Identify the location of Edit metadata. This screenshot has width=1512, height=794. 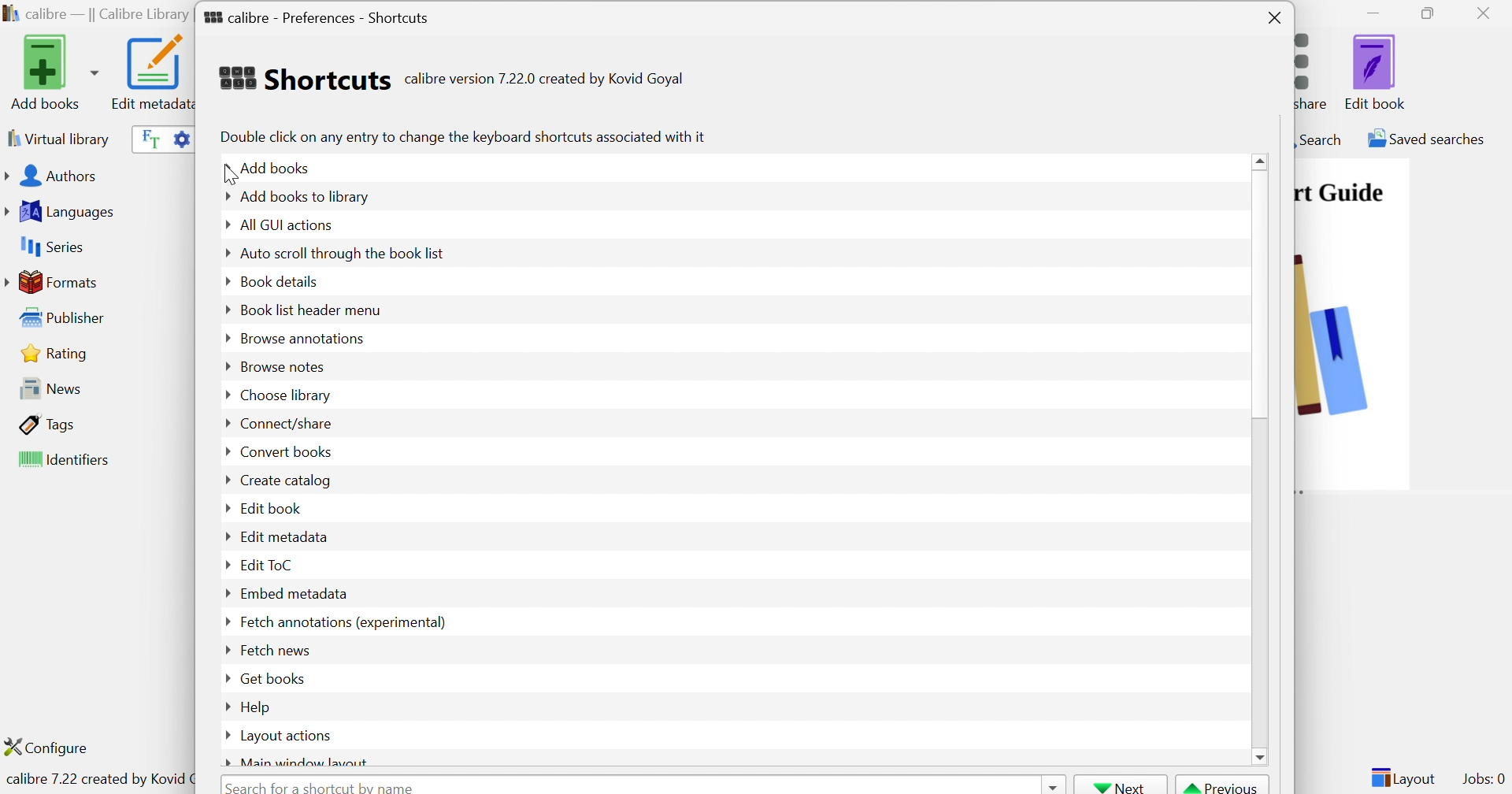
(284, 536).